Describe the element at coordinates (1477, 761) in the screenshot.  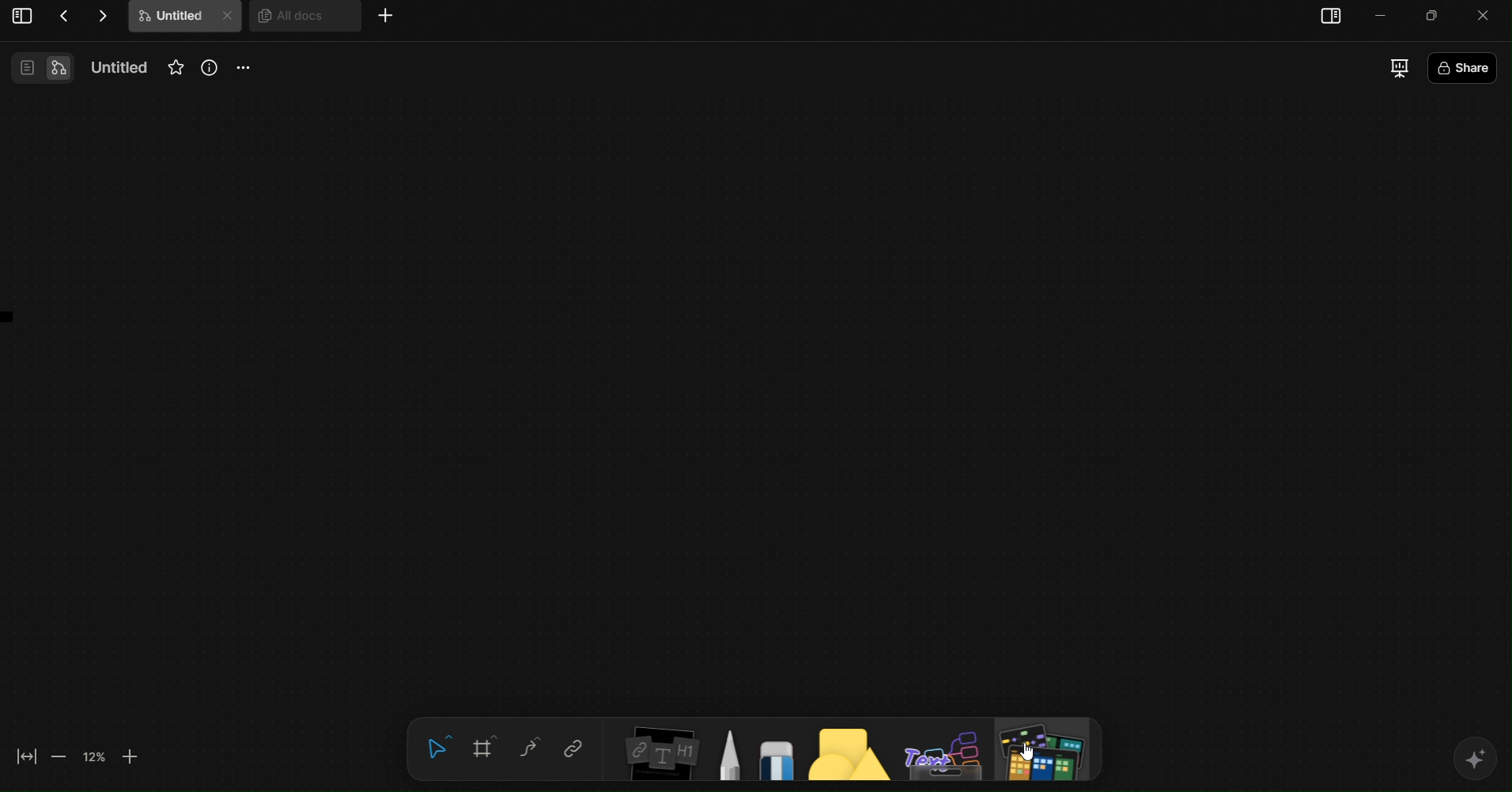
I see `AI` at that location.